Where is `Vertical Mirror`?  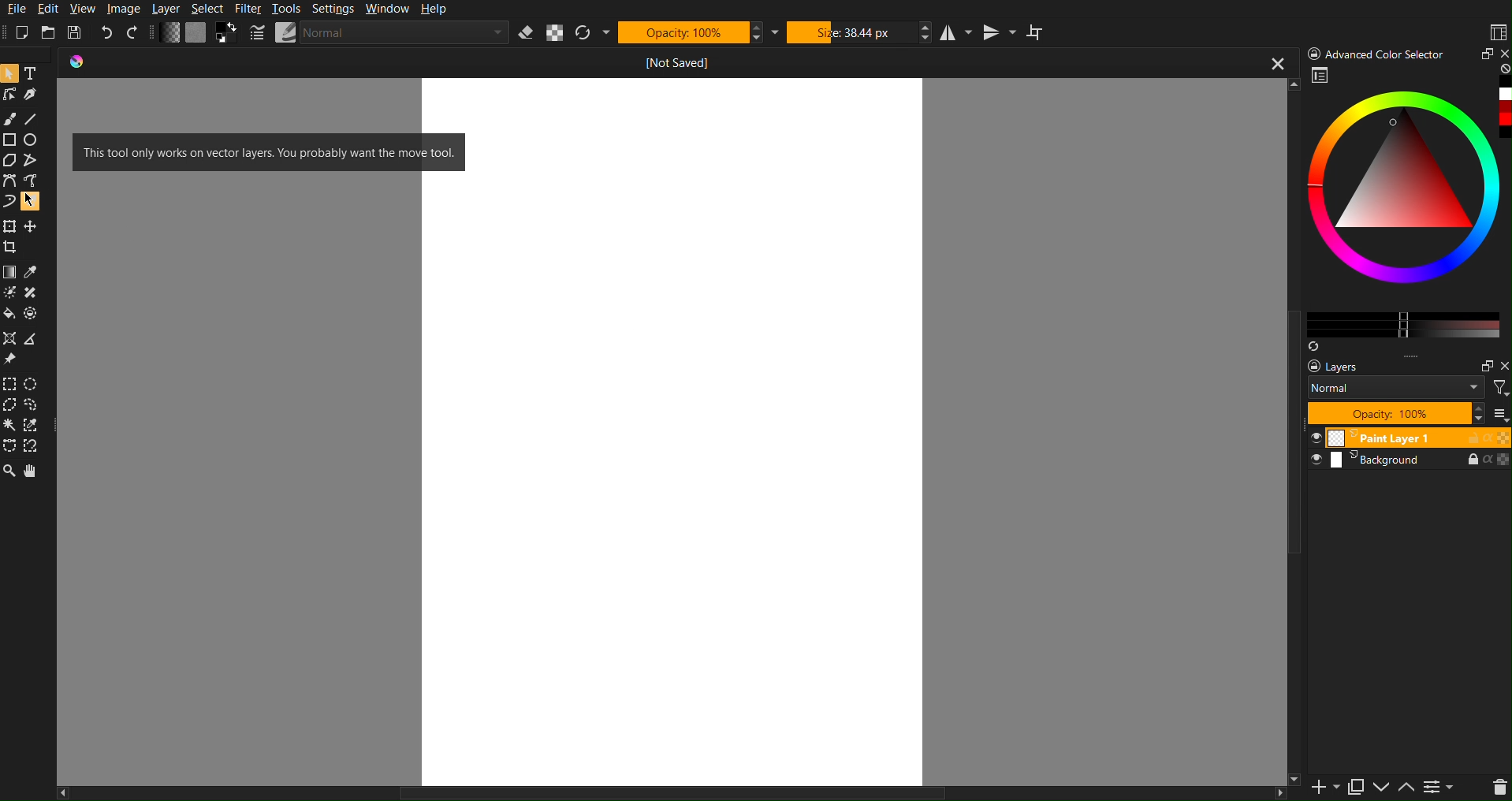 Vertical Mirror is located at coordinates (1000, 32).